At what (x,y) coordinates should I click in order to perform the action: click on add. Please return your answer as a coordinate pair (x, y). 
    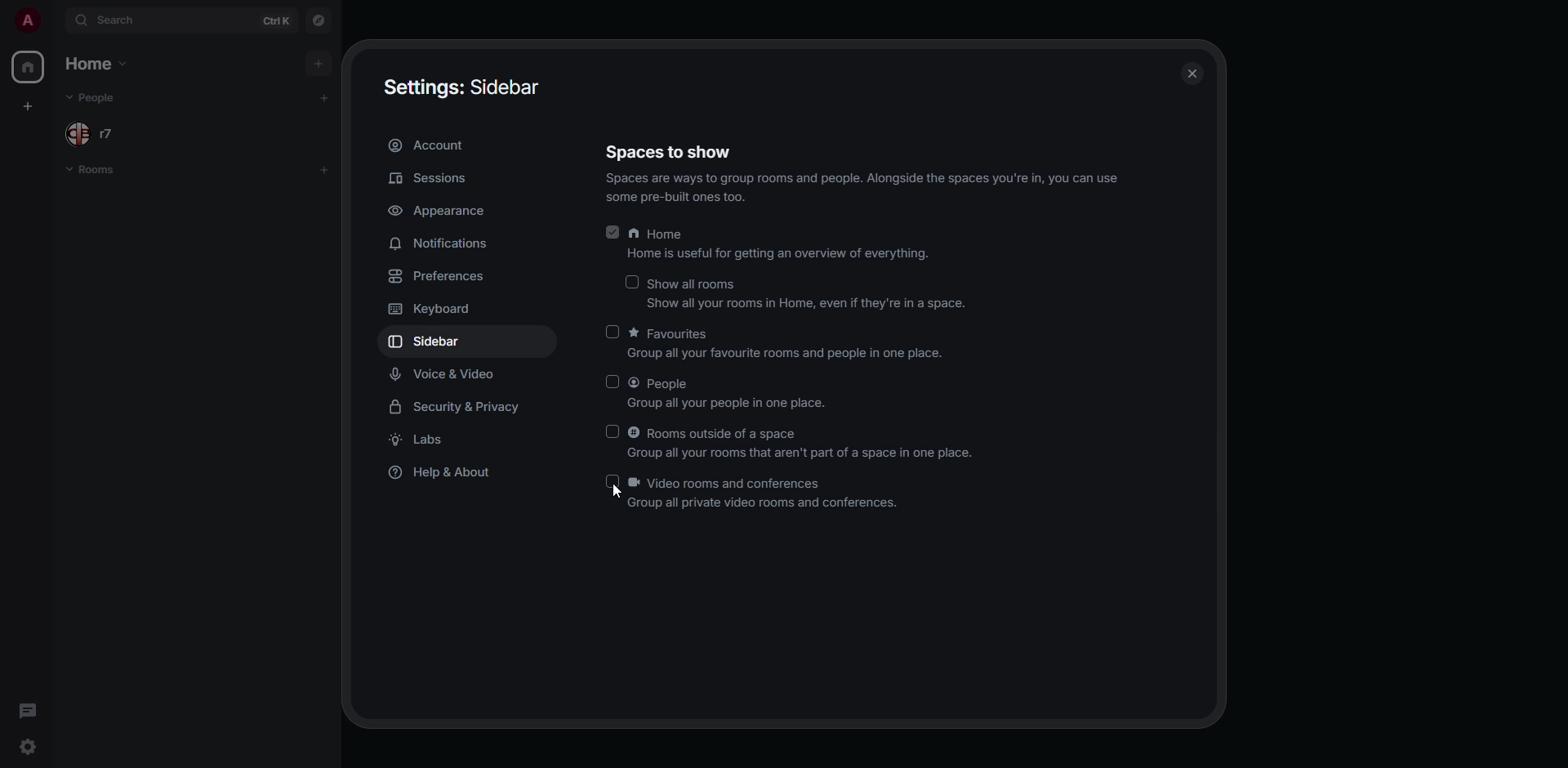
    Looking at the image, I should click on (318, 98).